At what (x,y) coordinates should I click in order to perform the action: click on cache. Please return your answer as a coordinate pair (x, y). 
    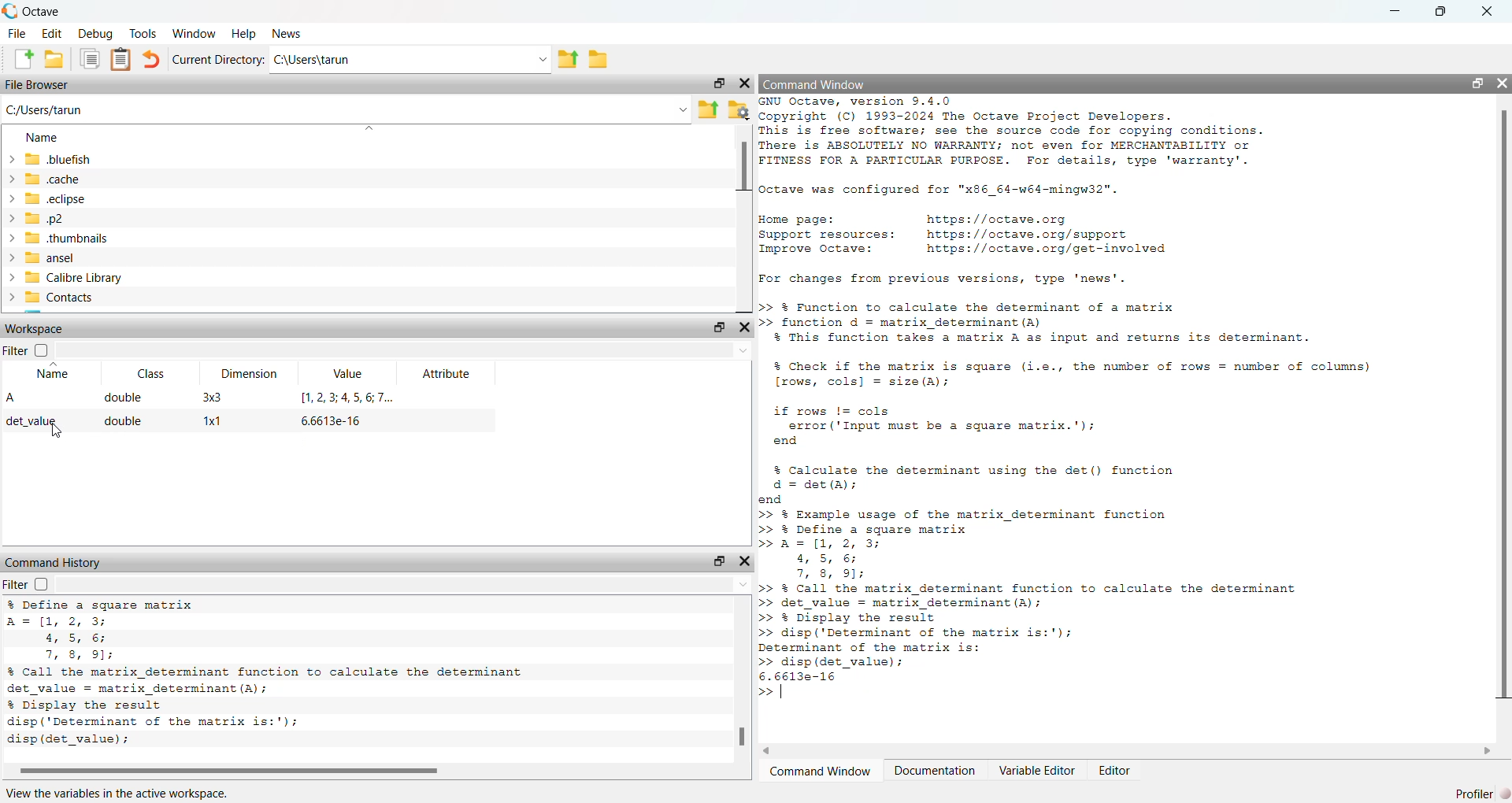
    Looking at the image, I should click on (50, 179).